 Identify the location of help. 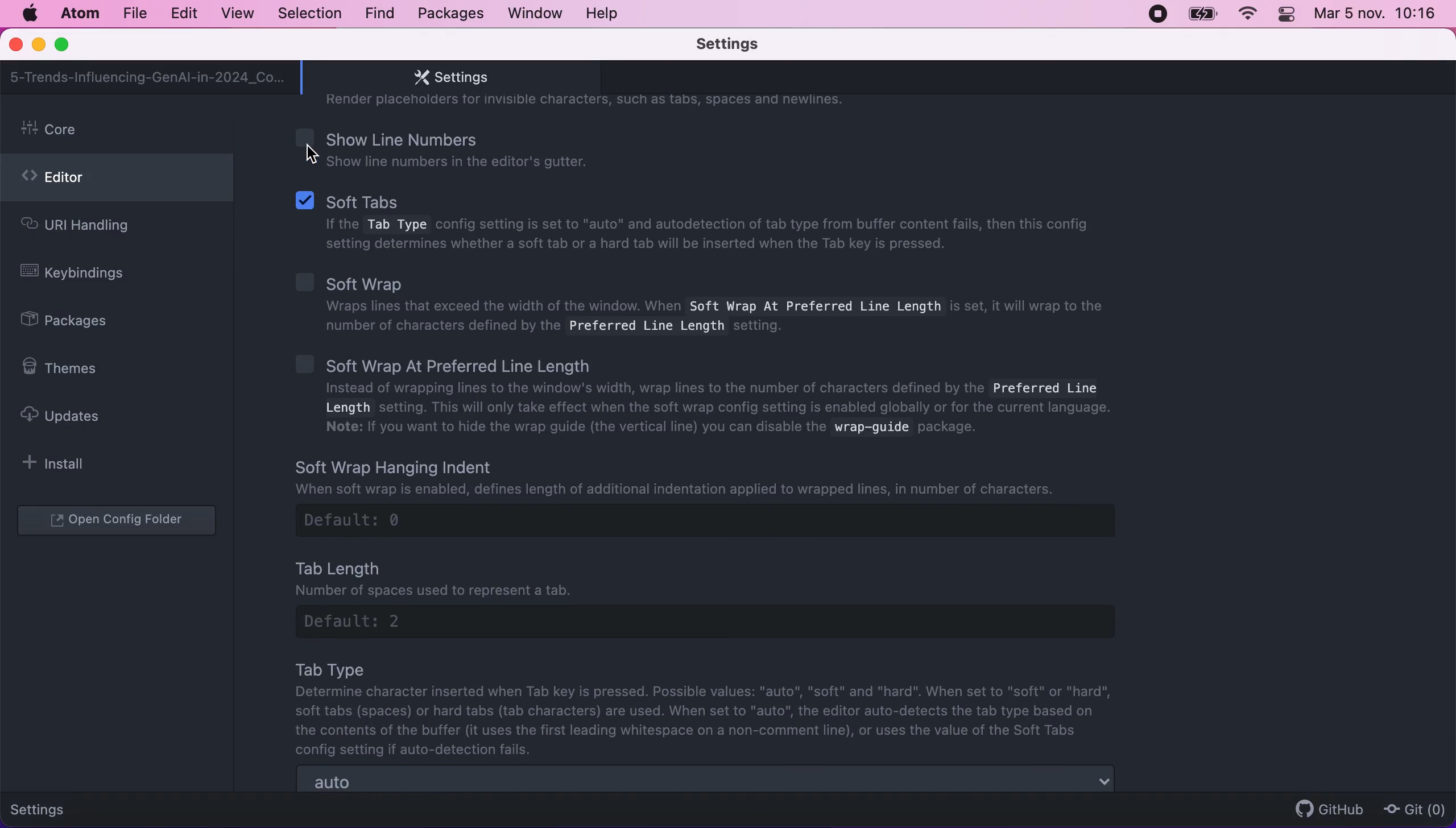
(605, 13).